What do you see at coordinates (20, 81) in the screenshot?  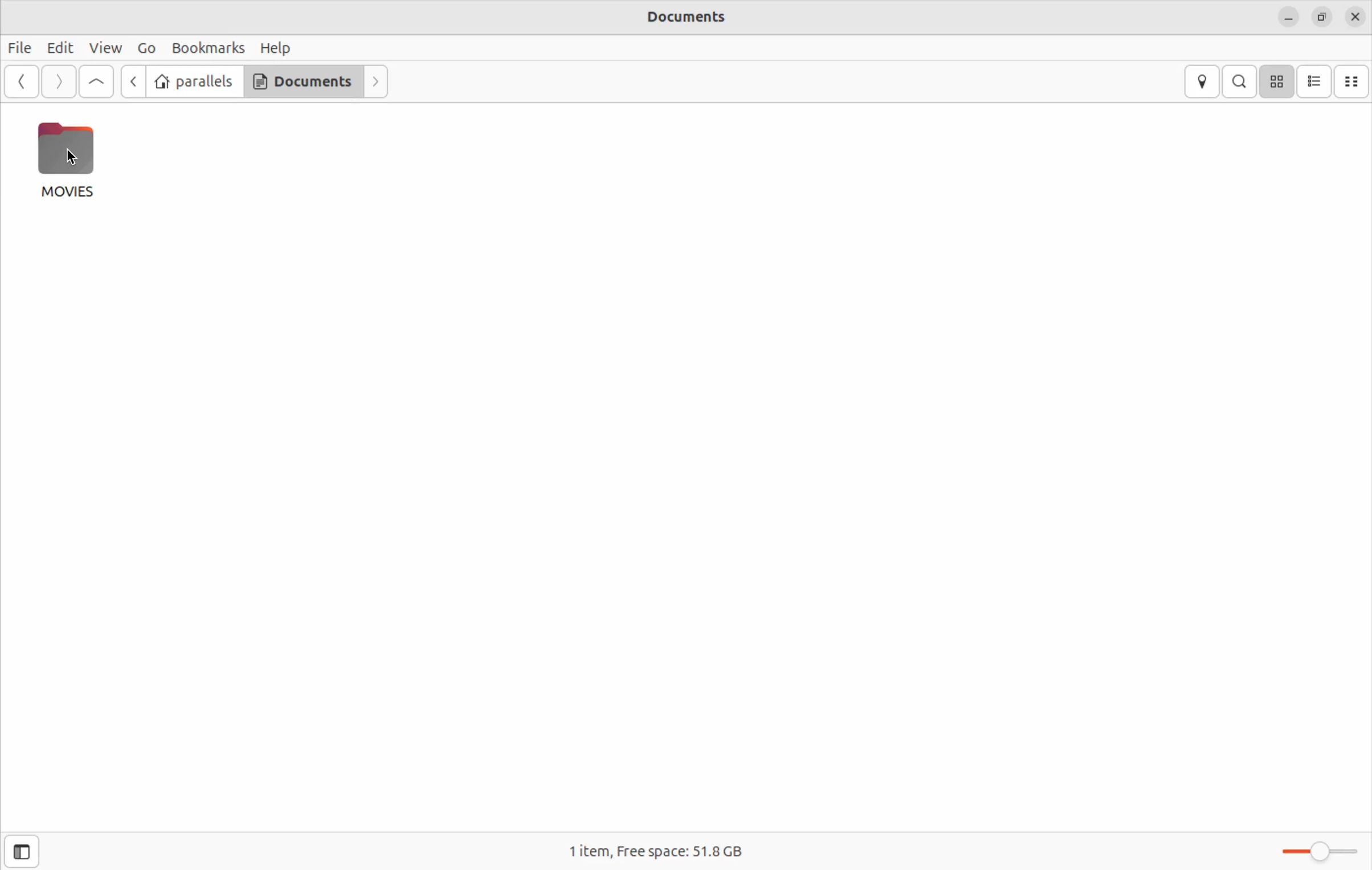 I see `back` at bounding box center [20, 81].